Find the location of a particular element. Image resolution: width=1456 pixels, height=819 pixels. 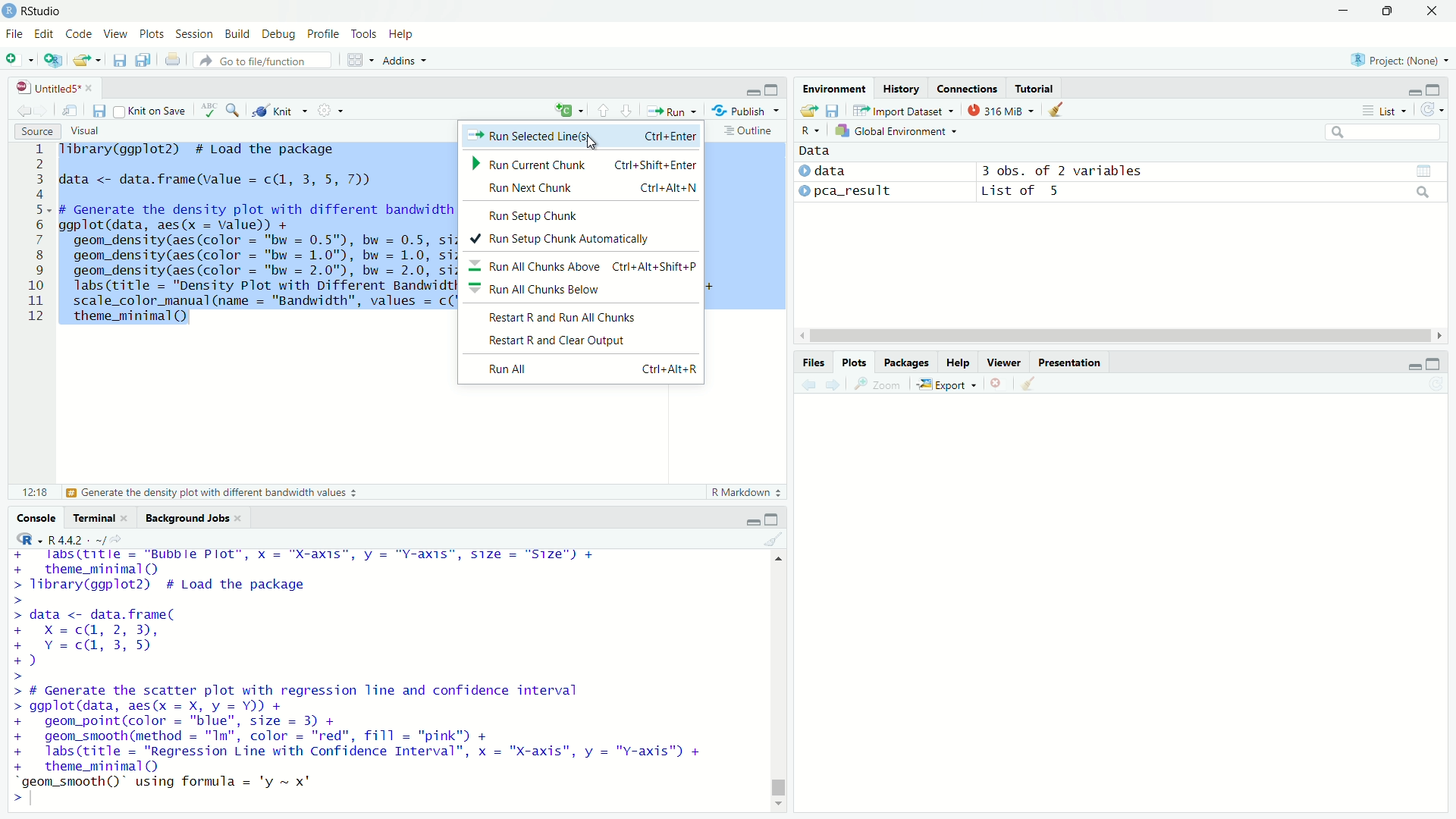

Session is located at coordinates (193, 33).